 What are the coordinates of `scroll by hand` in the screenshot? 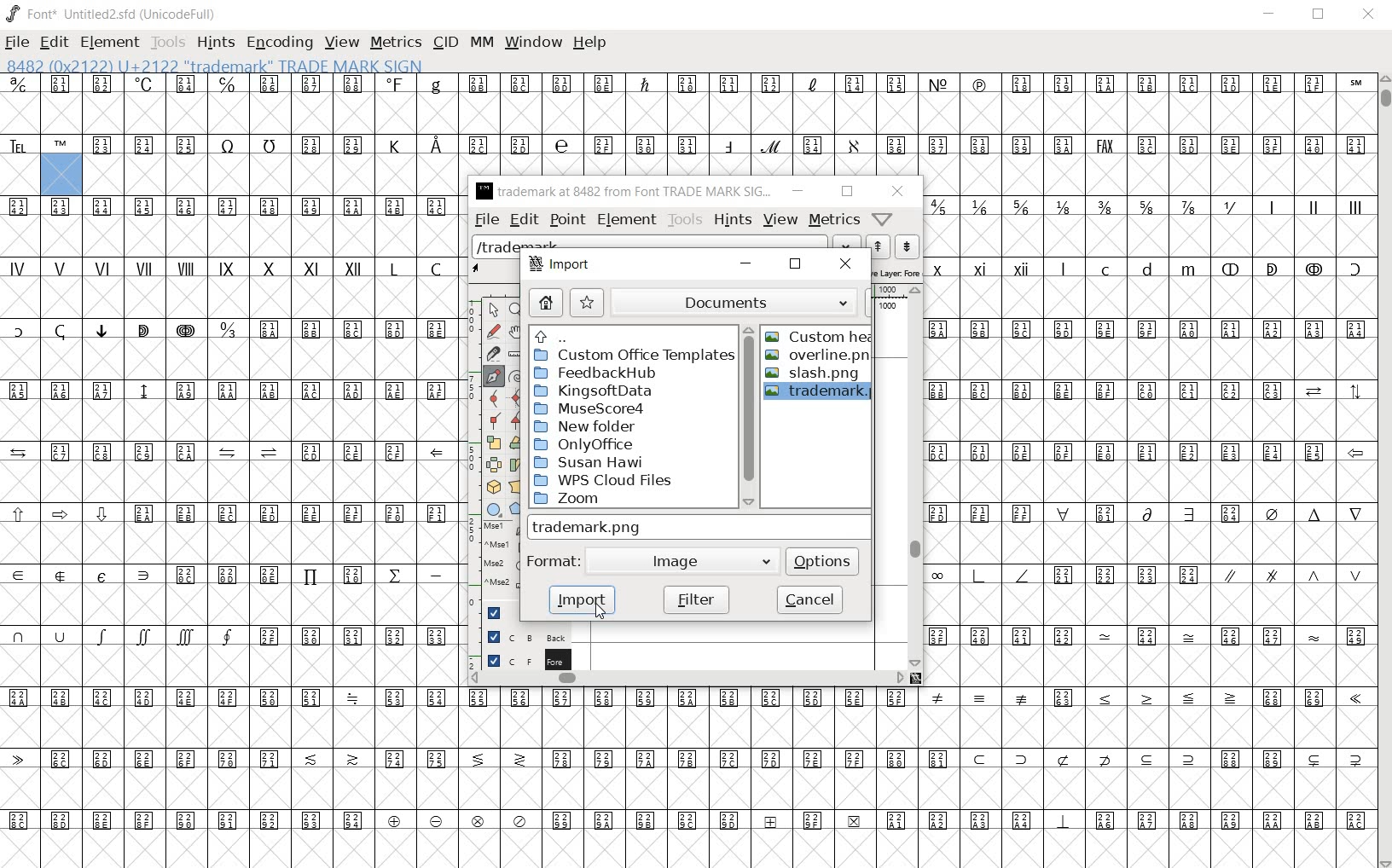 It's located at (517, 333).